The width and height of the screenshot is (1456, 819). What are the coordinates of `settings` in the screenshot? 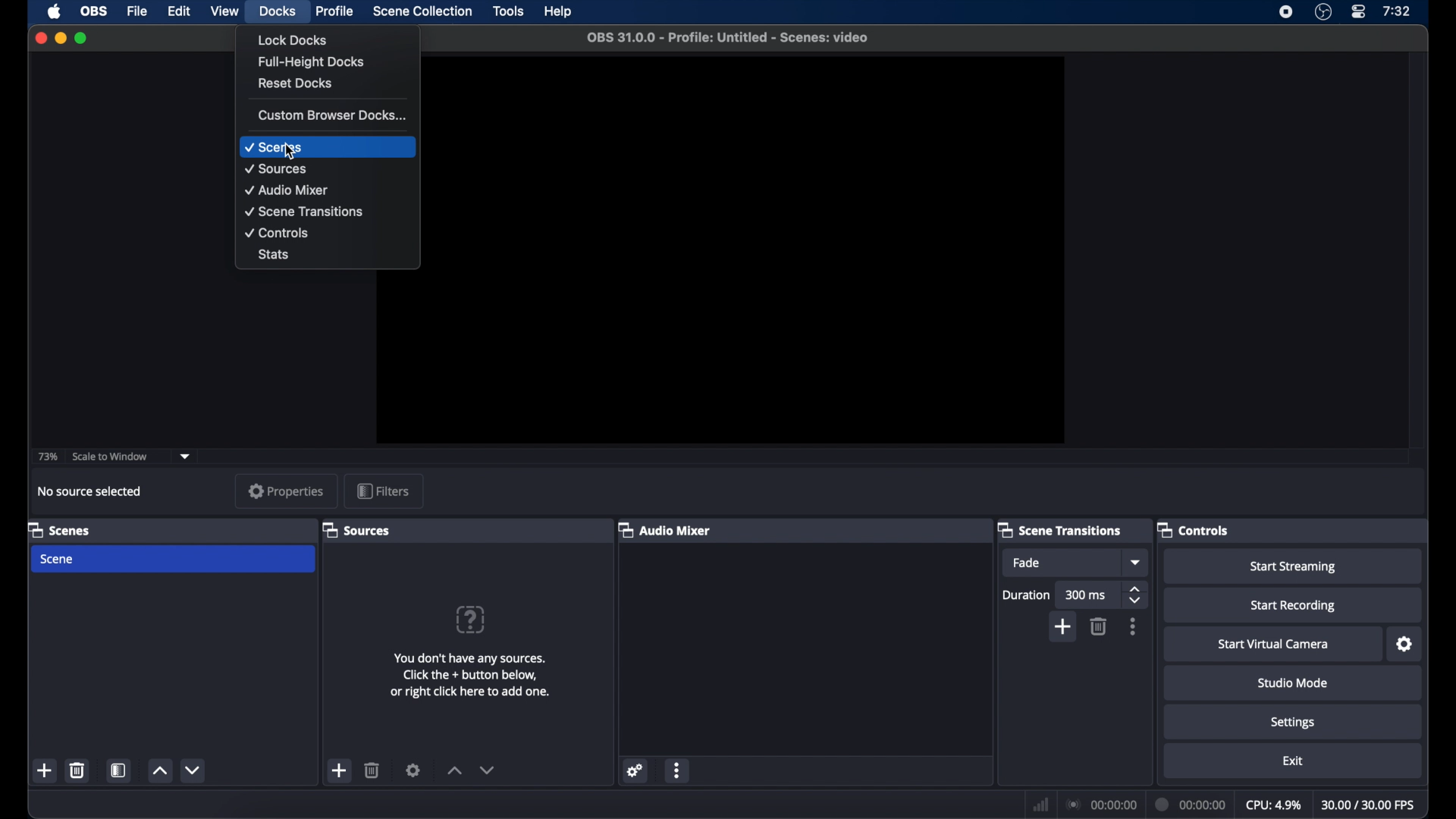 It's located at (1293, 723).